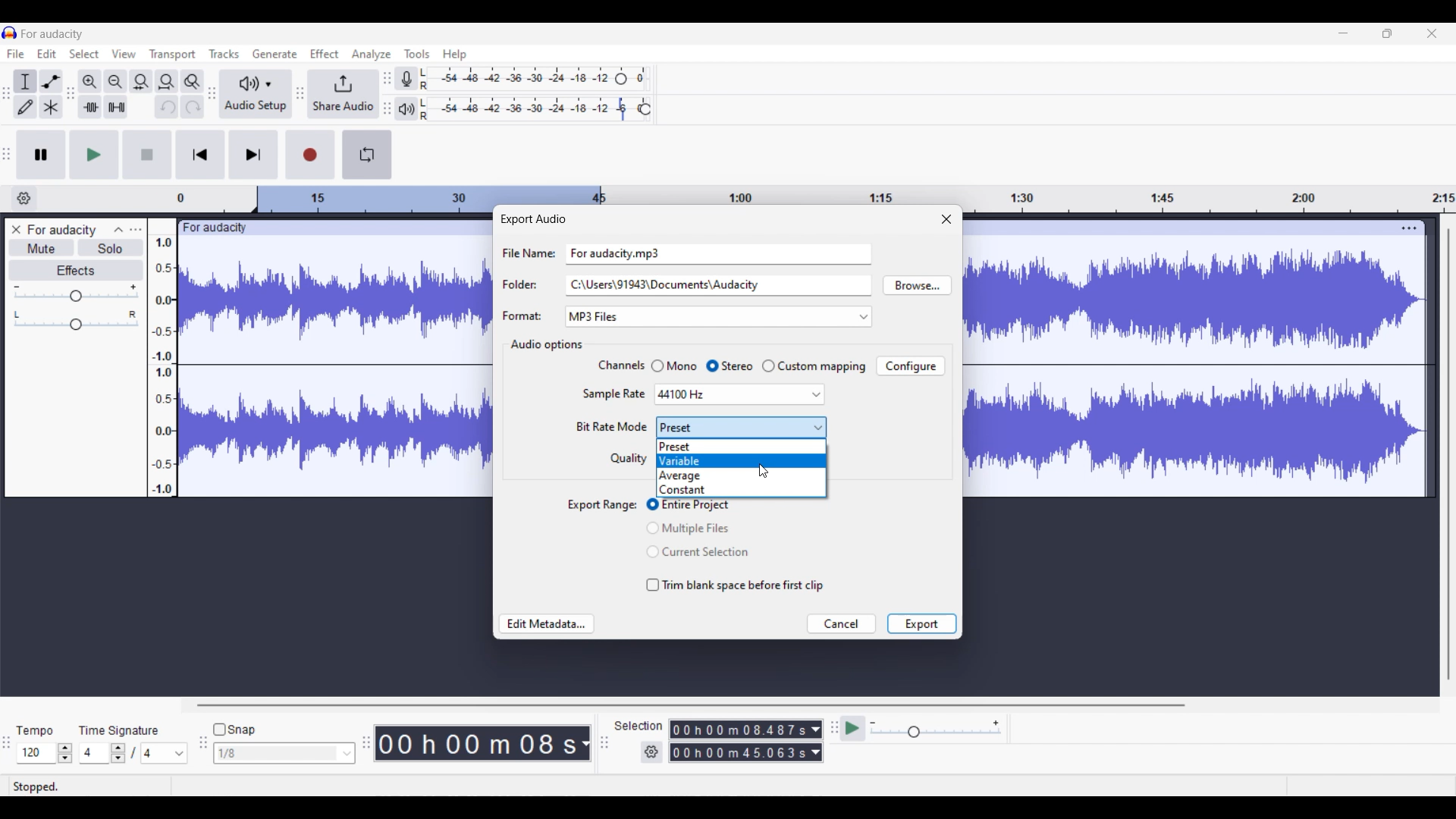 The height and width of the screenshot is (819, 1456). Describe the element at coordinates (816, 730) in the screenshot. I see `Duration measurement` at that location.